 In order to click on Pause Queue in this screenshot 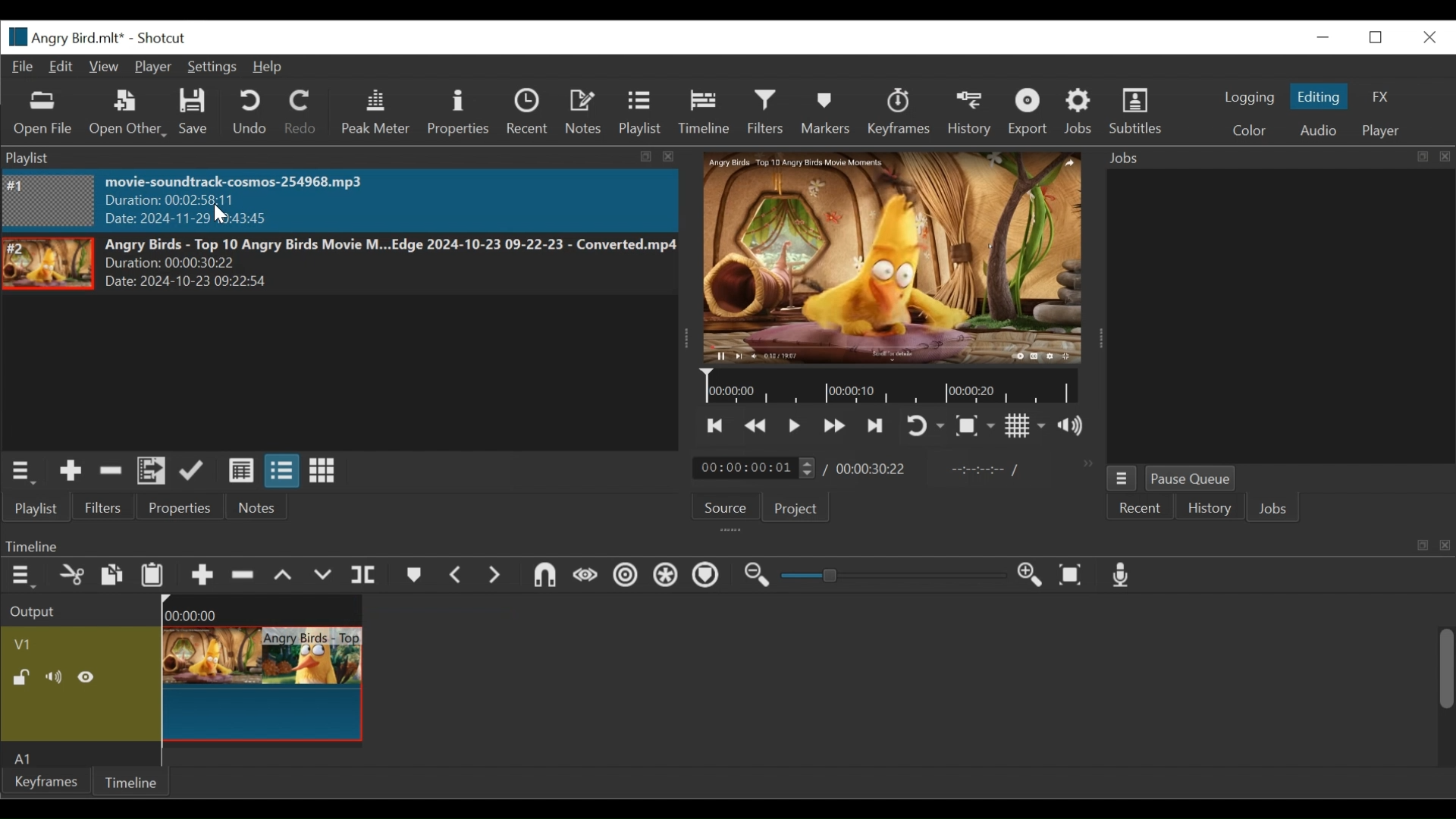, I will do `click(1195, 479)`.